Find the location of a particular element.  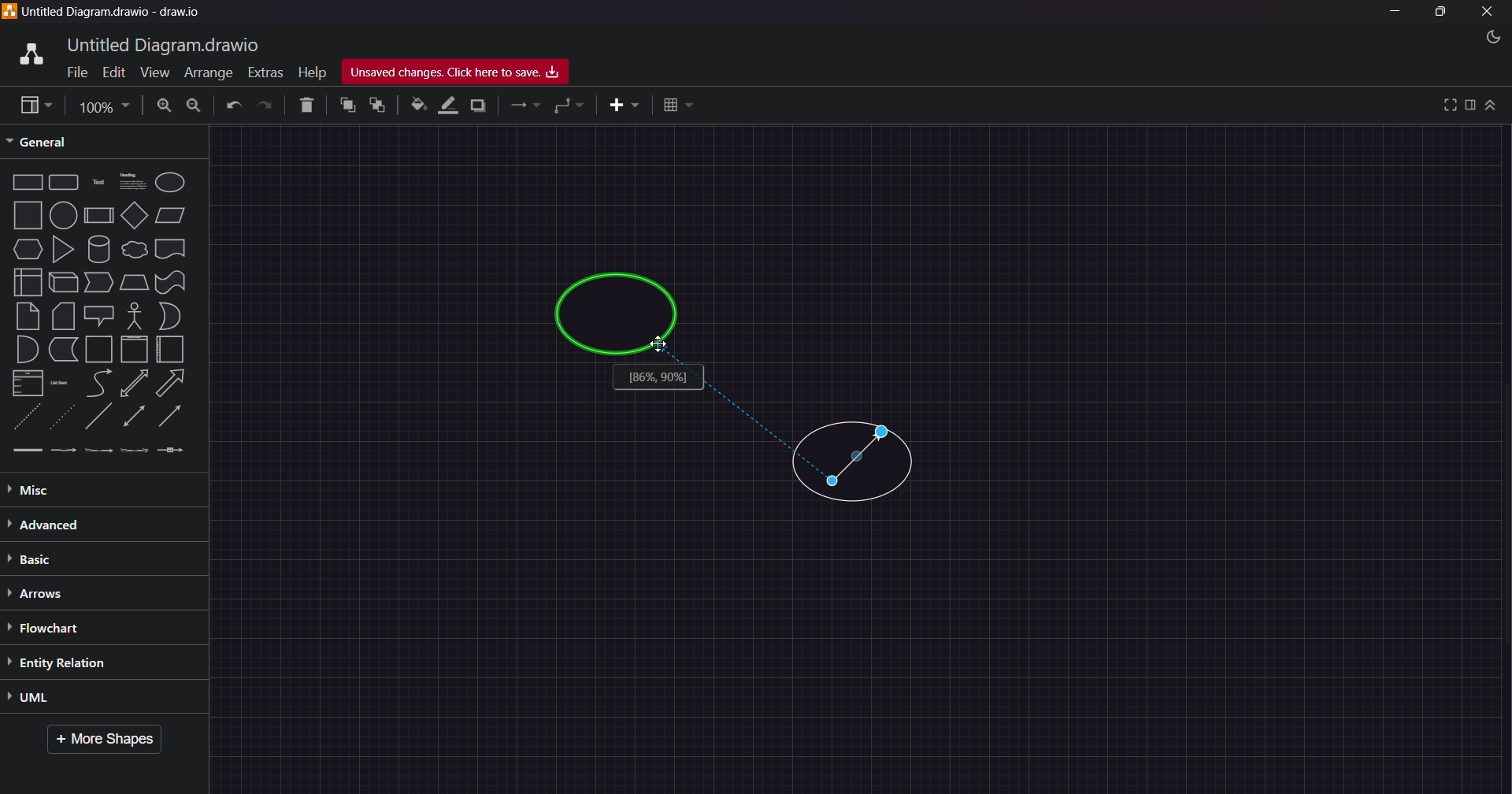

UML is located at coordinates (72, 699).